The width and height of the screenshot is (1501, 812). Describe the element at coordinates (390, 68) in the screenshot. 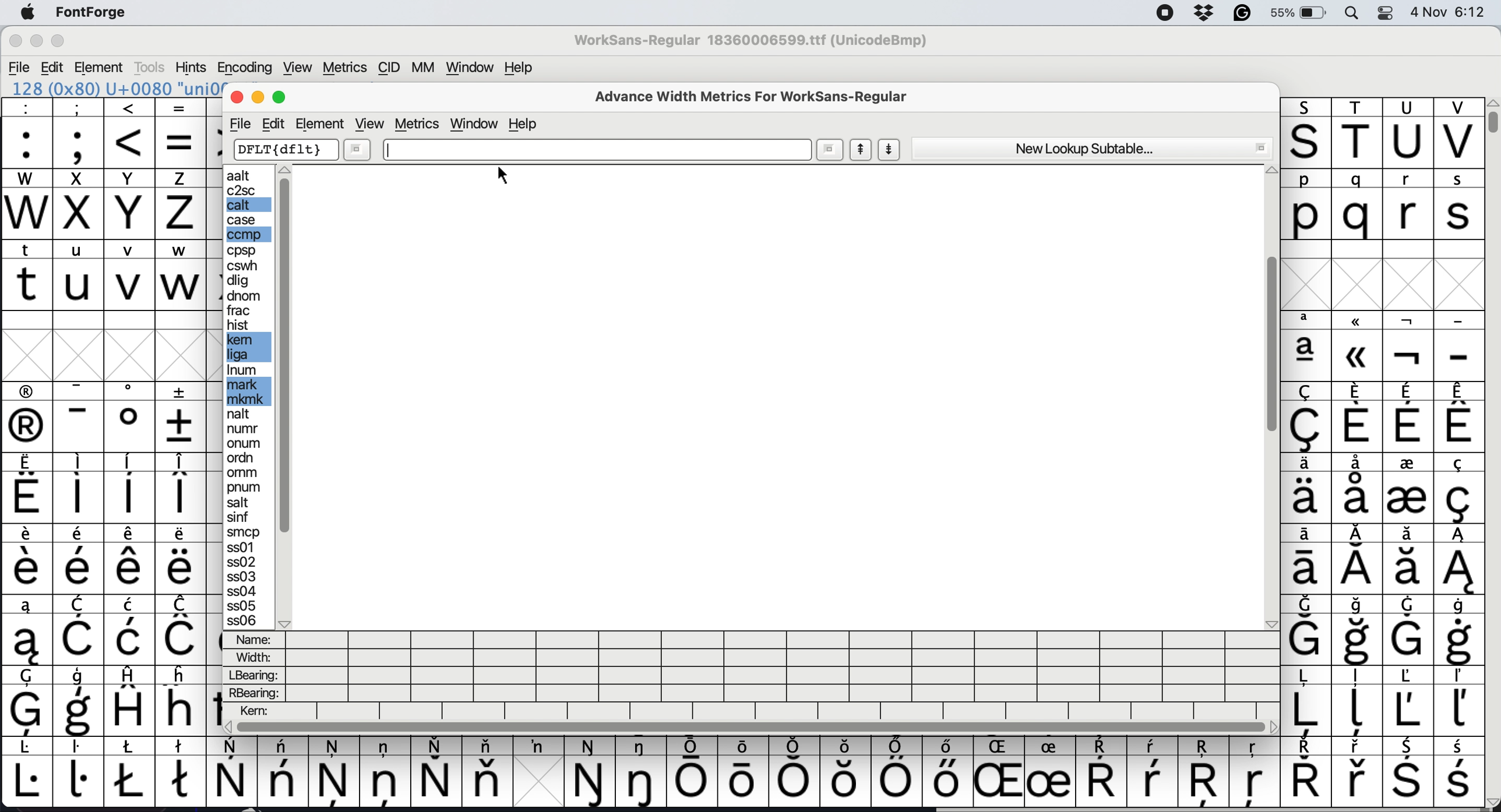

I see `CID` at that location.